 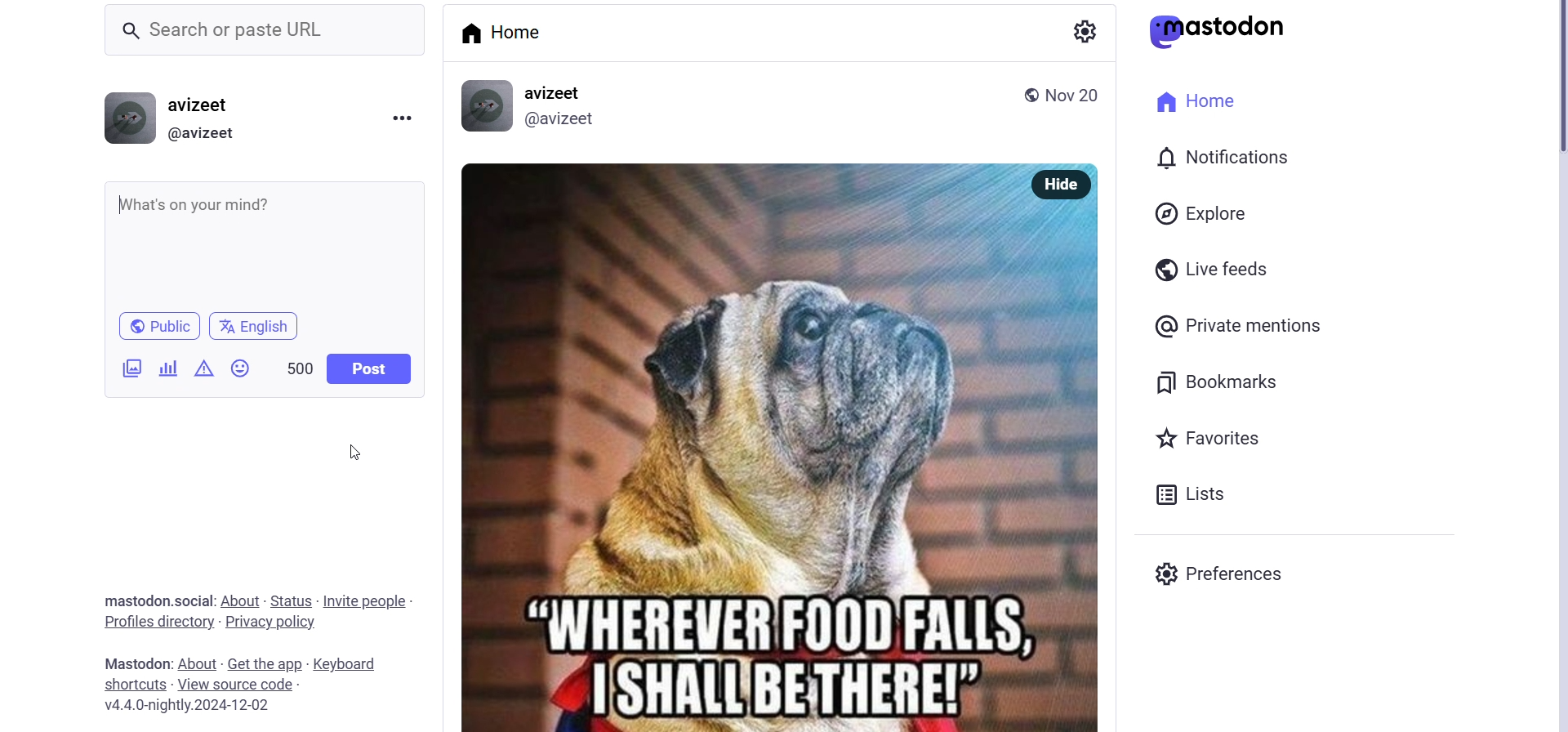 What do you see at coordinates (1236, 578) in the screenshot?
I see `preferenes` at bounding box center [1236, 578].